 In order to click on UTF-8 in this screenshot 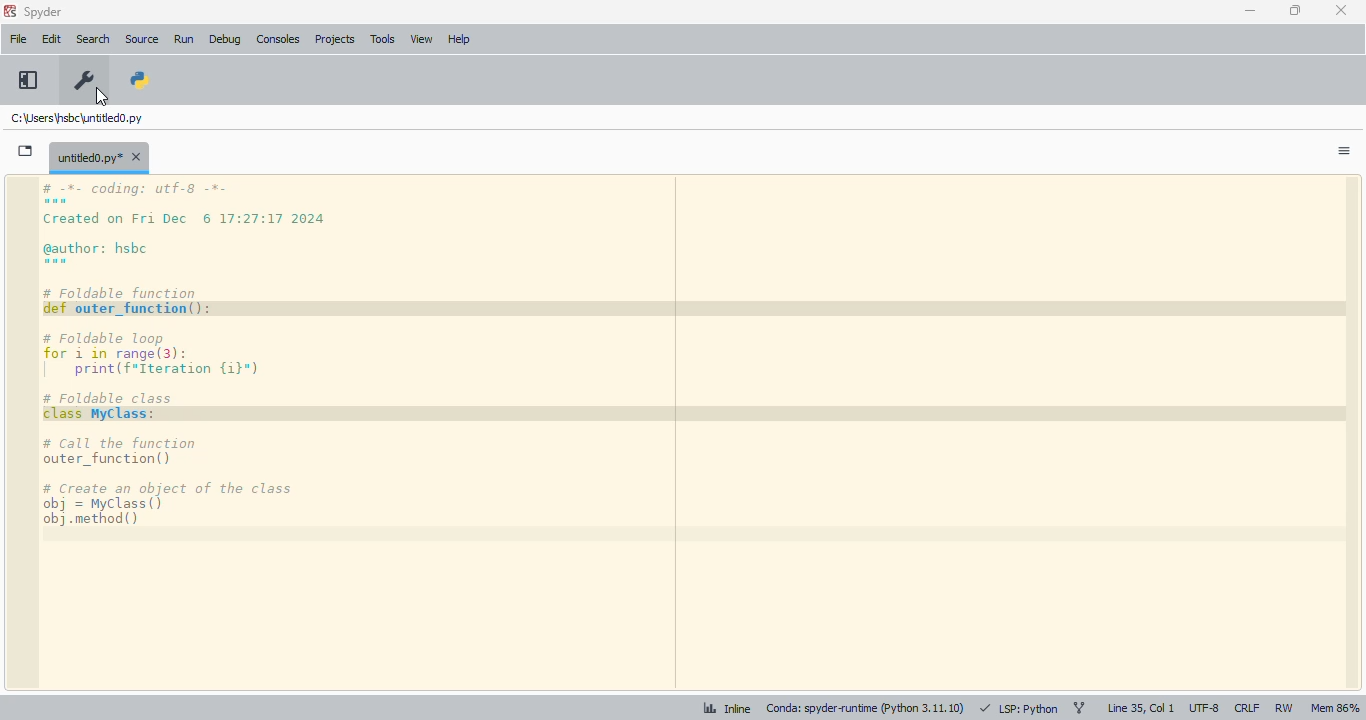, I will do `click(1205, 708)`.